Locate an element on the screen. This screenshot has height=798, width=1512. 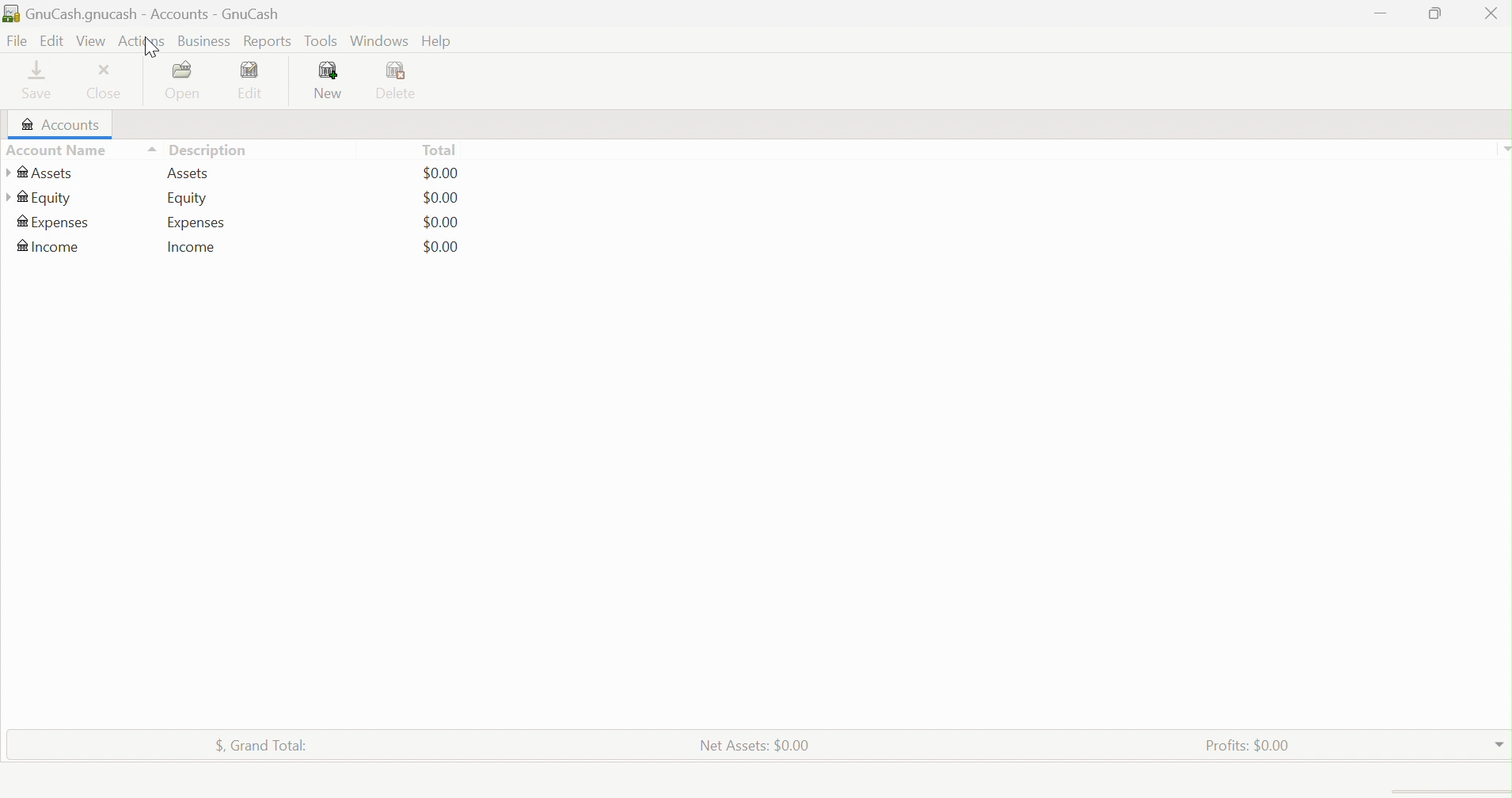
Assets is located at coordinates (40, 173).